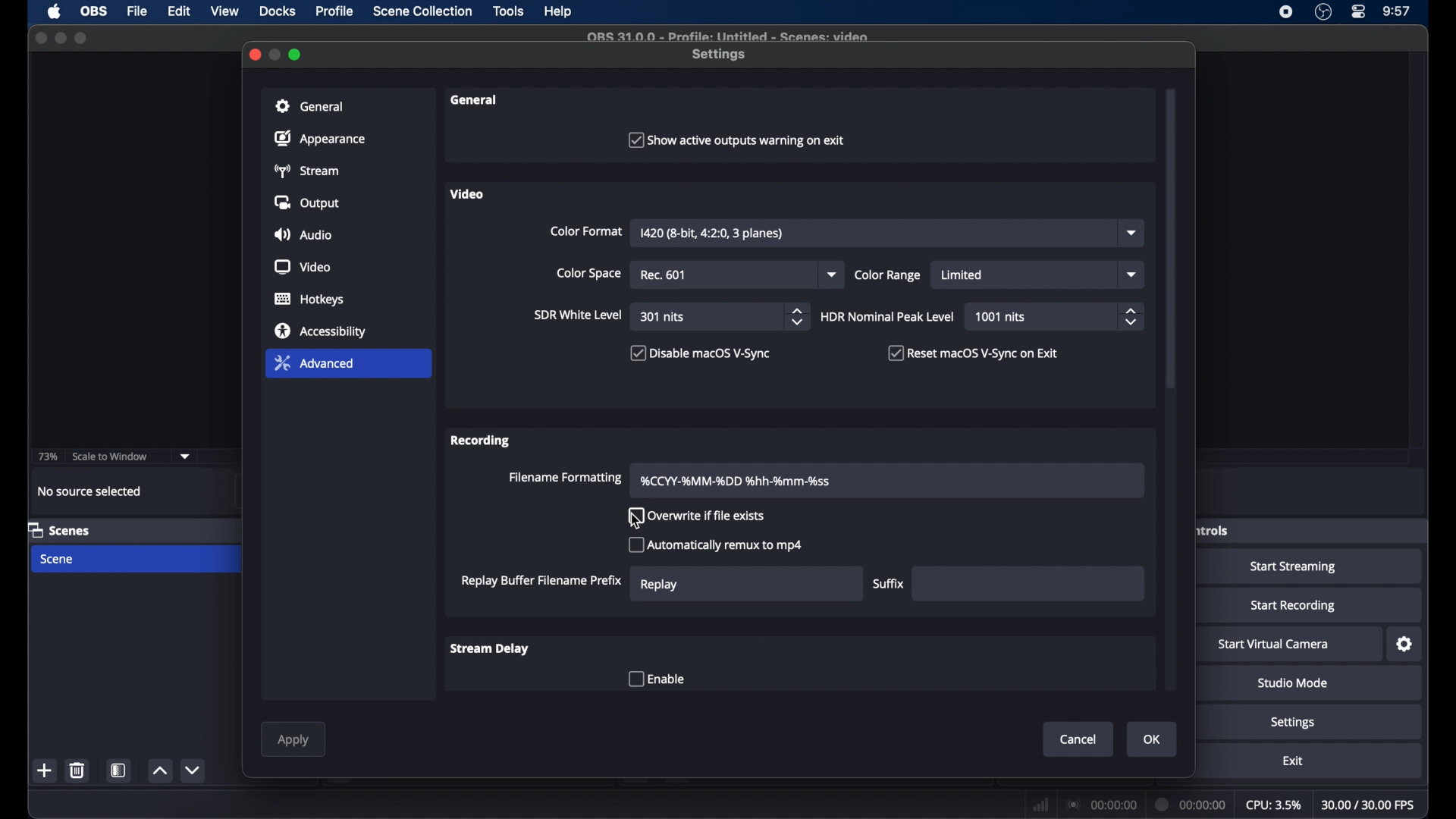  Describe the element at coordinates (310, 299) in the screenshot. I see `hotkeys` at that location.